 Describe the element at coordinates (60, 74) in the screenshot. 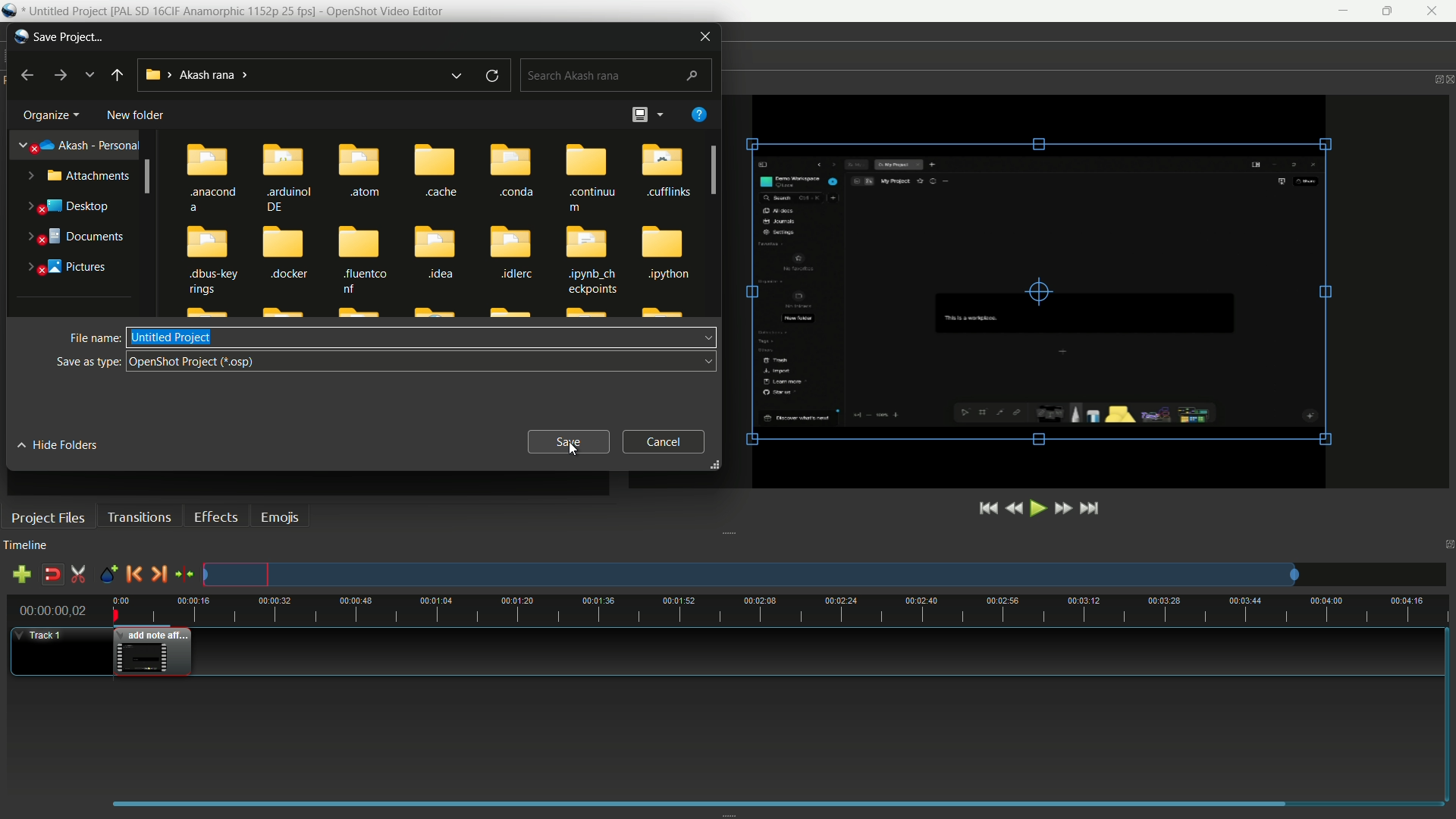

I see `forward` at that location.